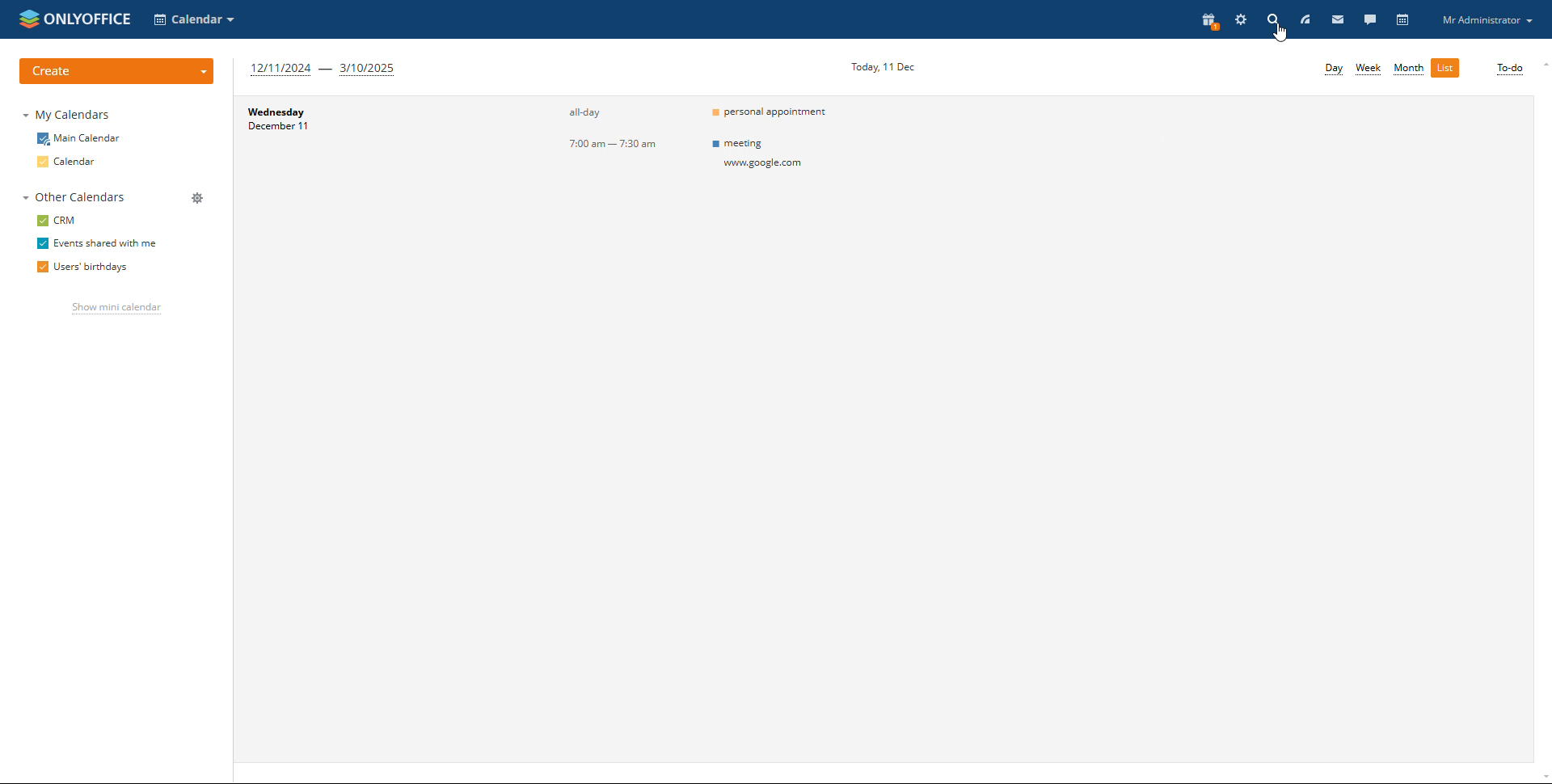 This screenshot has width=1552, height=784. Describe the element at coordinates (68, 115) in the screenshot. I see `my calendars` at that location.